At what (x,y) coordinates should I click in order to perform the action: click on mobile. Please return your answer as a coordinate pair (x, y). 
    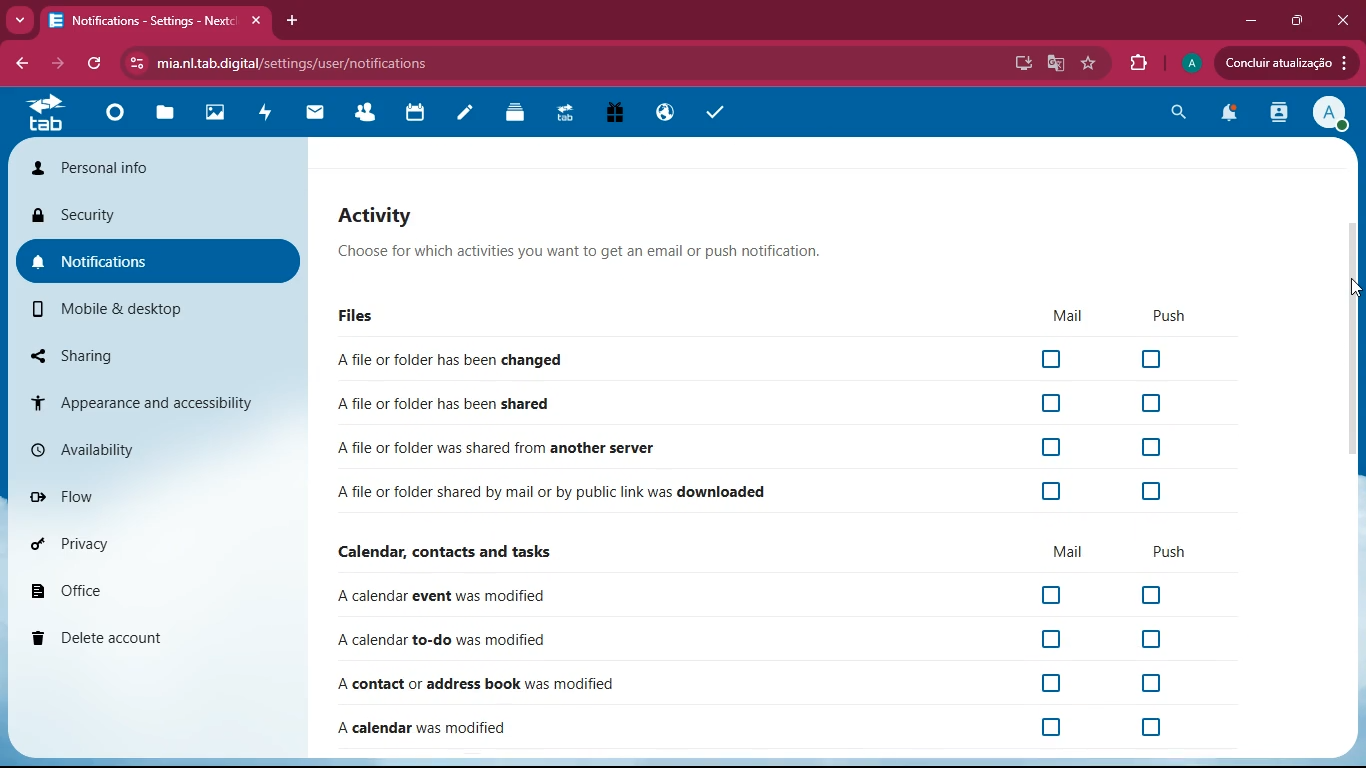
    Looking at the image, I should click on (142, 311).